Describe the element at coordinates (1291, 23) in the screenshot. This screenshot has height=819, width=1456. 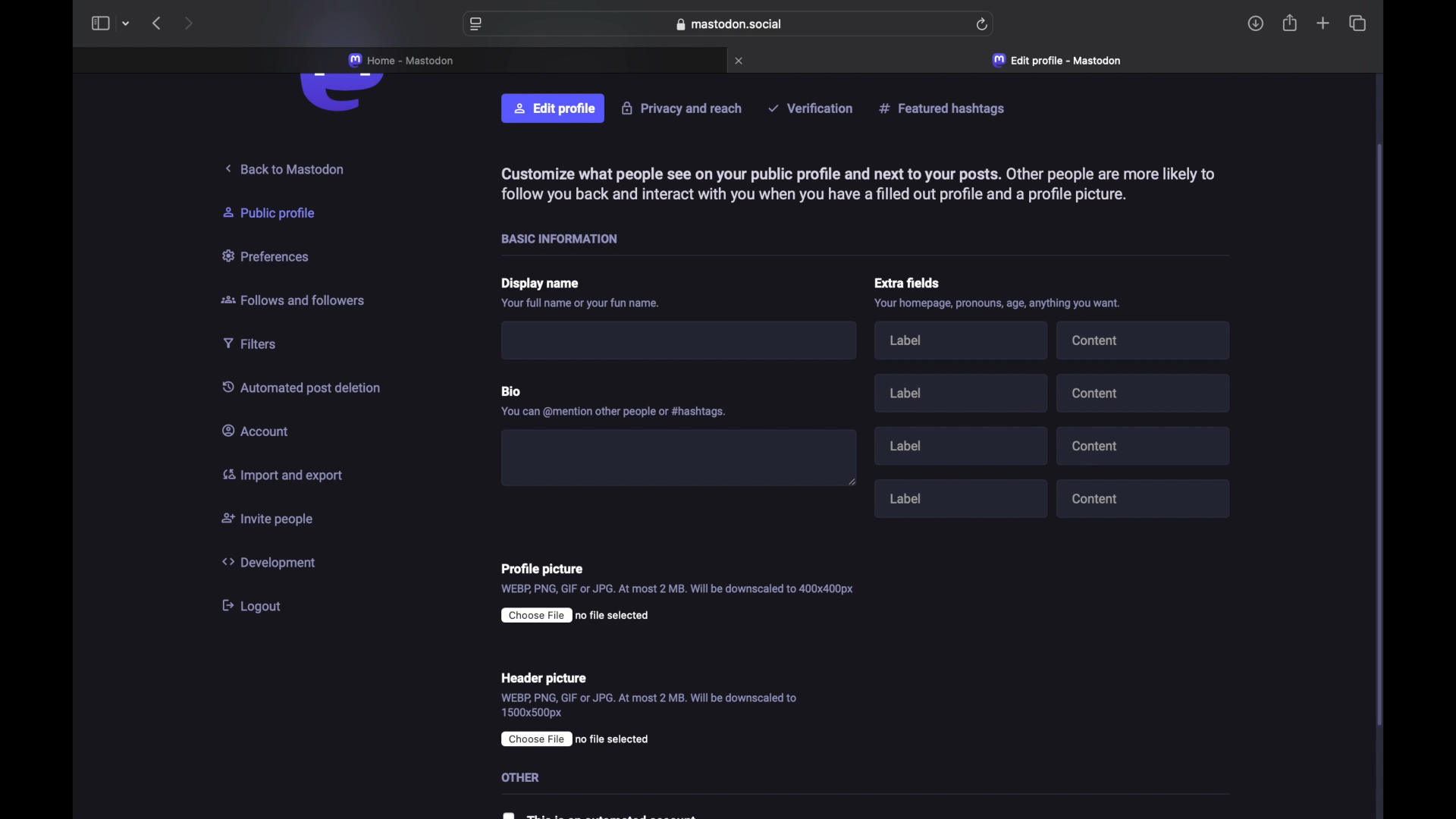
I see `share` at that location.